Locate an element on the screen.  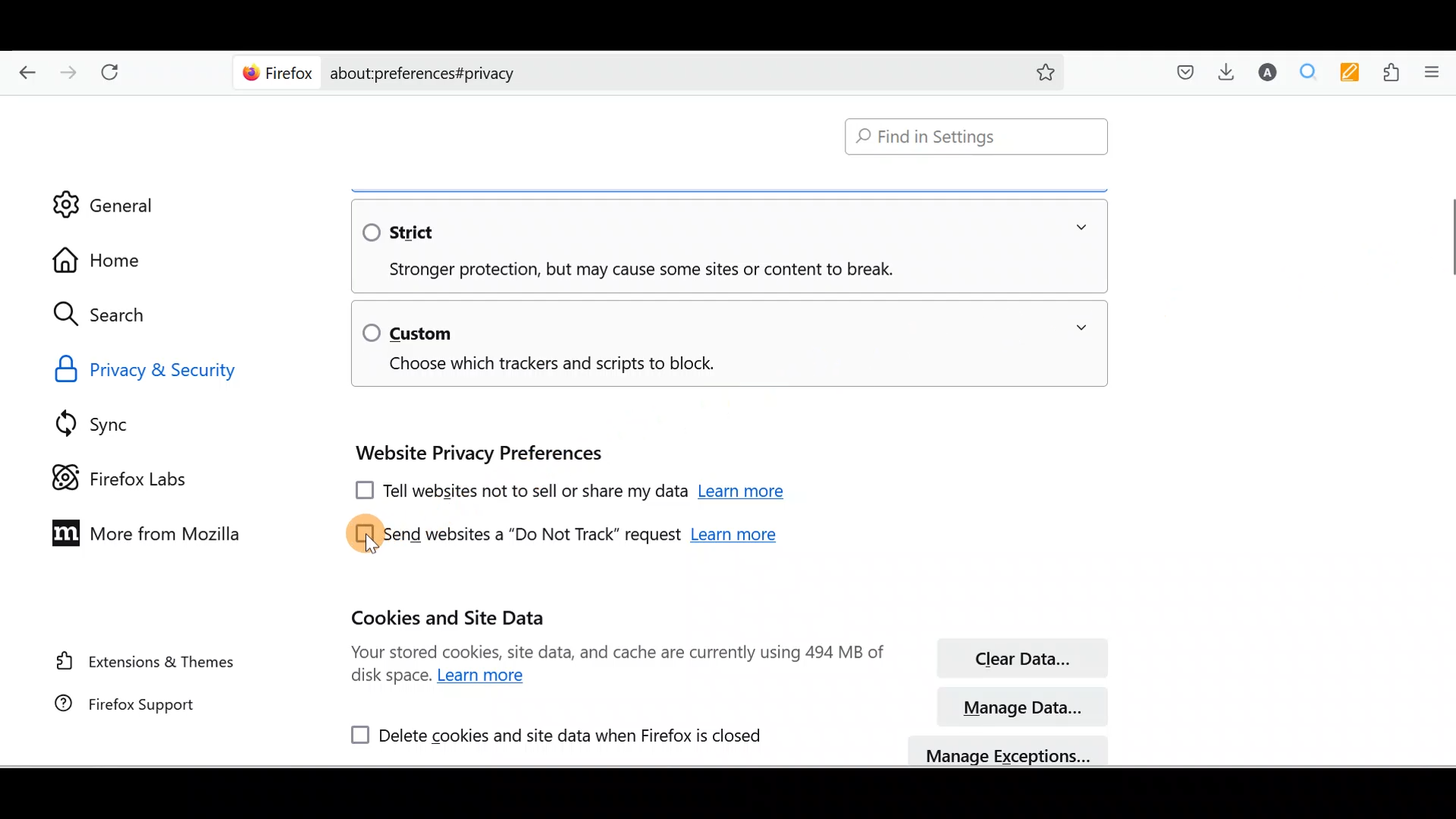
Stronger protection, but may cause some sites or content to break. is located at coordinates (628, 271).